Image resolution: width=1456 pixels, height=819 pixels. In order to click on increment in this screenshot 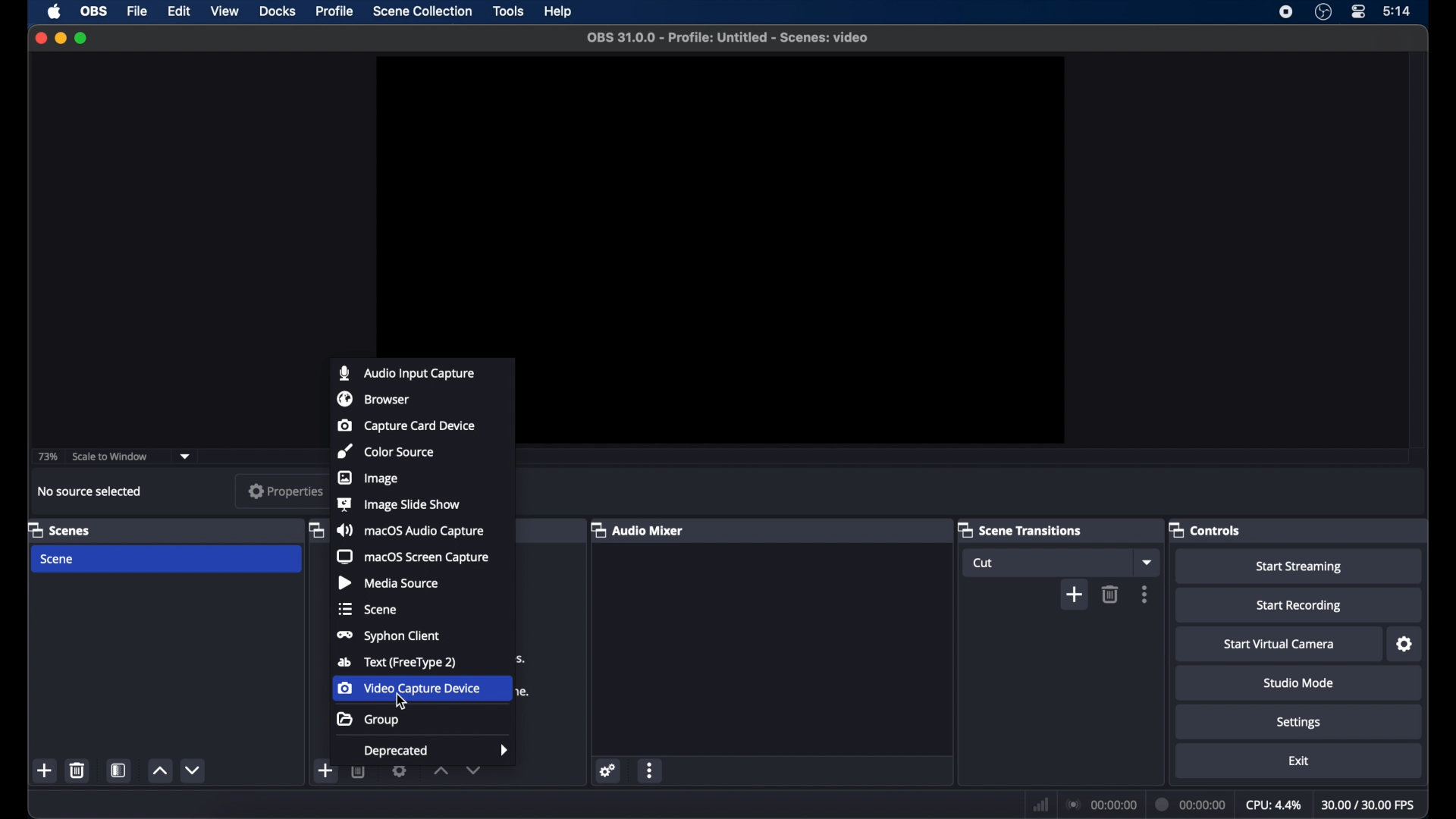, I will do `click(161, 771)`.